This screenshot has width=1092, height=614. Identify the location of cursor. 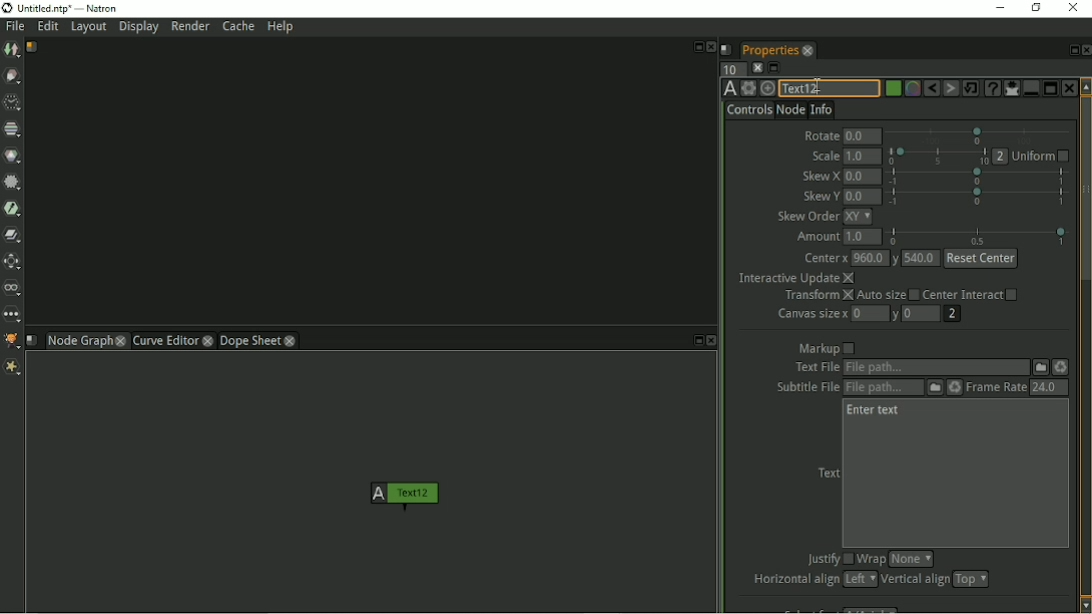
(817, 83).